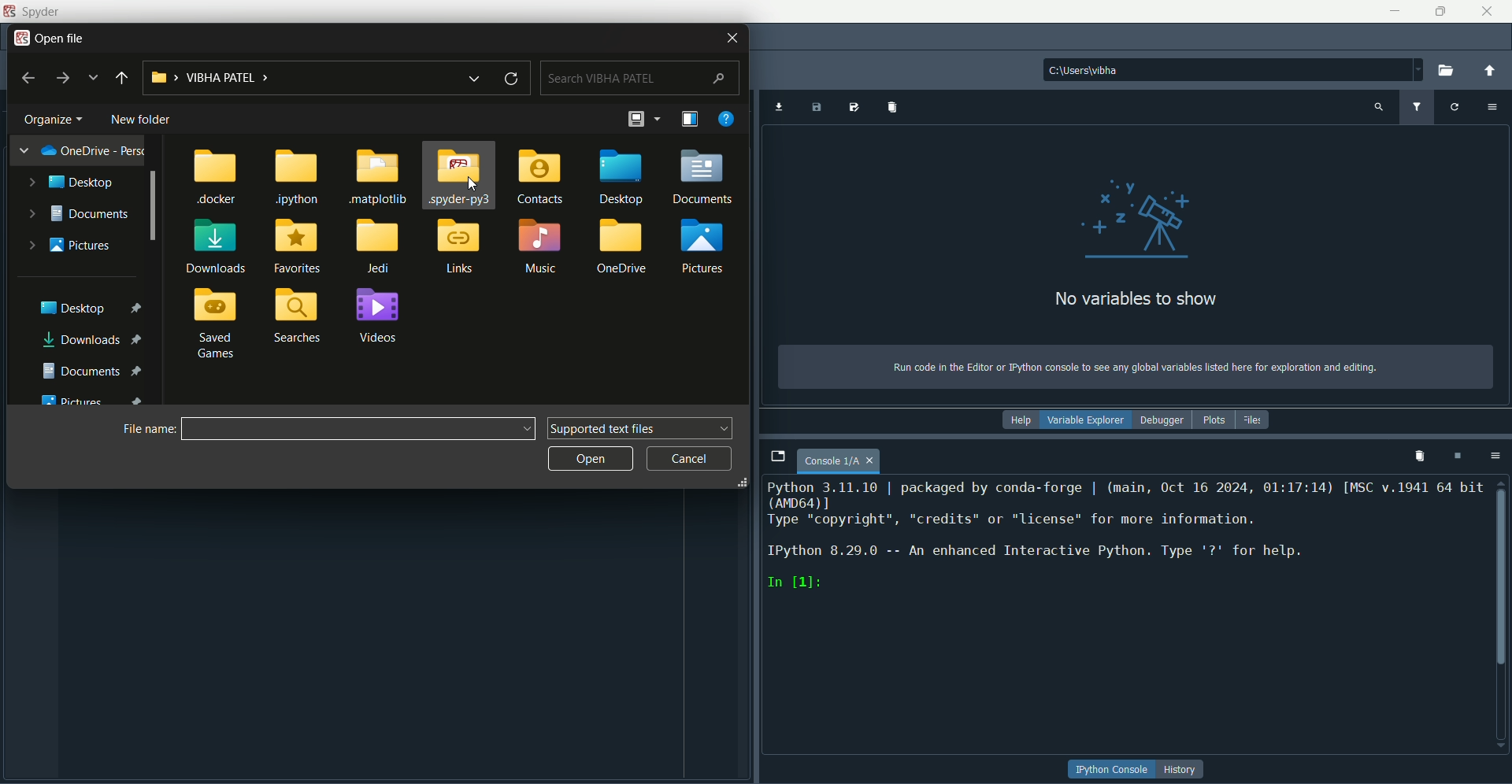  Describe the element at coordinates (842, 461) in the screenshot. I see `page name` at that location.